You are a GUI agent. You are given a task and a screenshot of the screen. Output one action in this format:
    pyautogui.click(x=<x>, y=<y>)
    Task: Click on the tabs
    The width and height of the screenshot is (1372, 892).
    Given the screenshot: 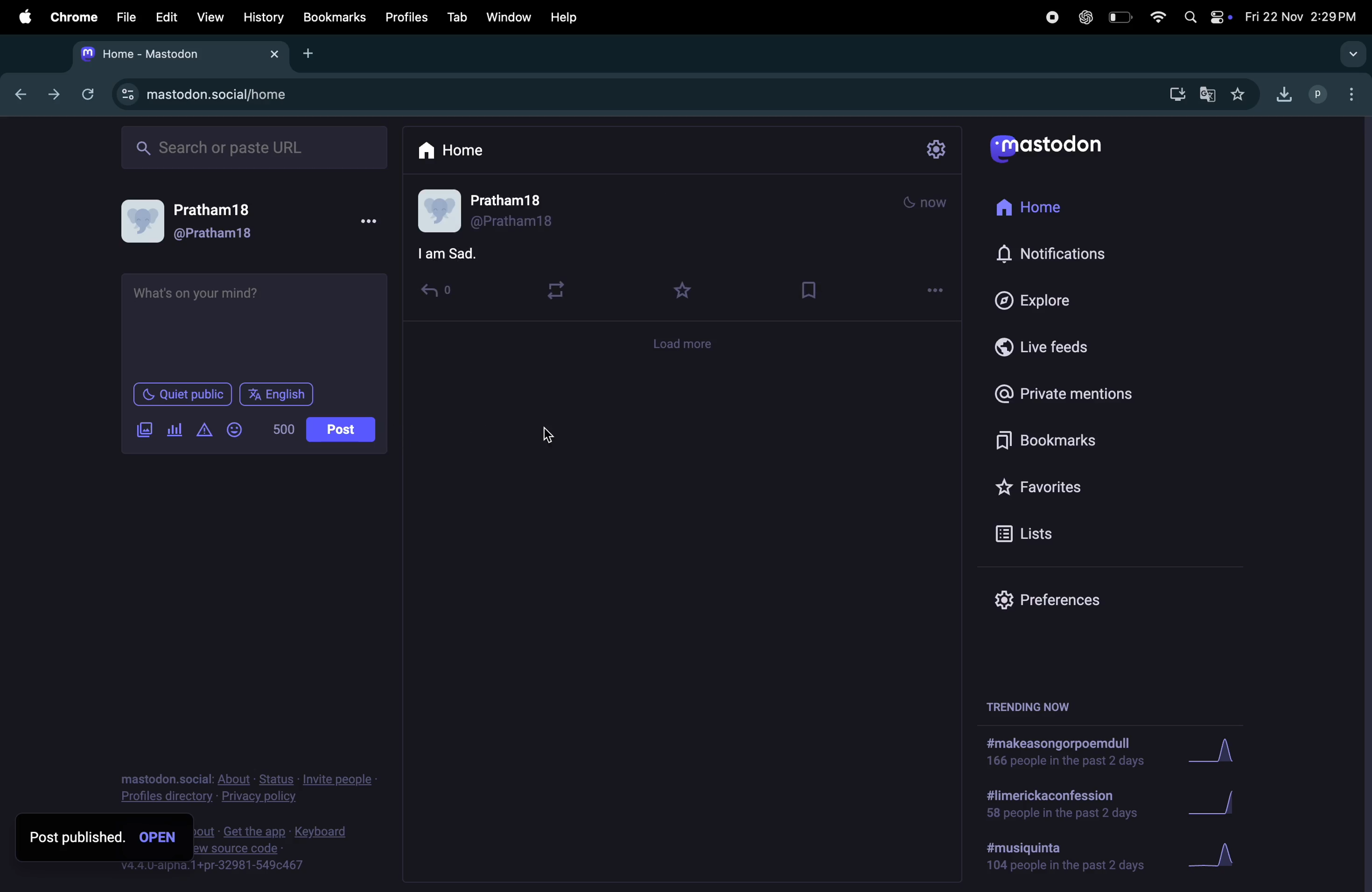 What is the action you would take?
    pyautogui.click(x=164, y=53)
    